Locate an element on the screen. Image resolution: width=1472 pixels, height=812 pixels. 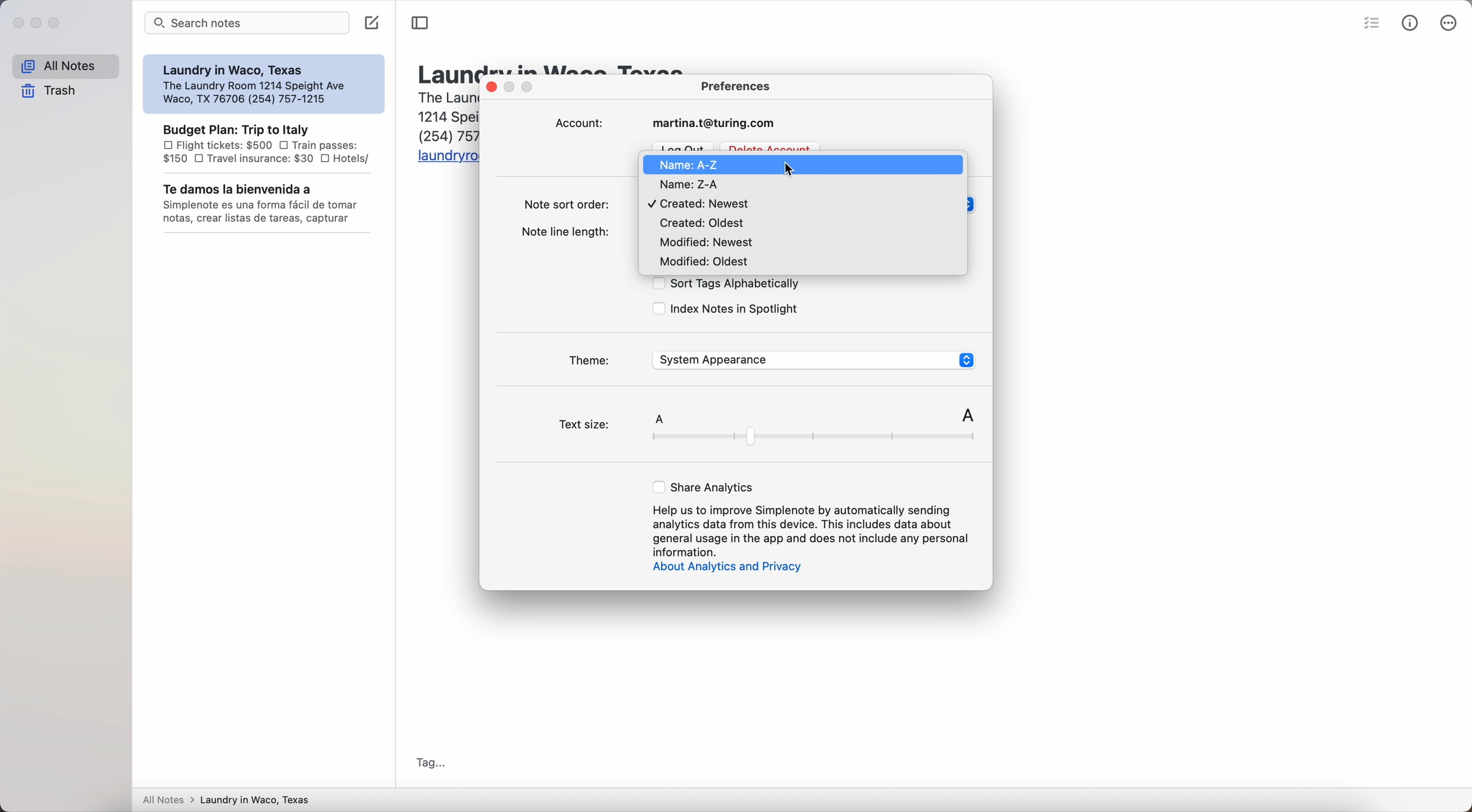
delete account is located at coordinates (771, 145).